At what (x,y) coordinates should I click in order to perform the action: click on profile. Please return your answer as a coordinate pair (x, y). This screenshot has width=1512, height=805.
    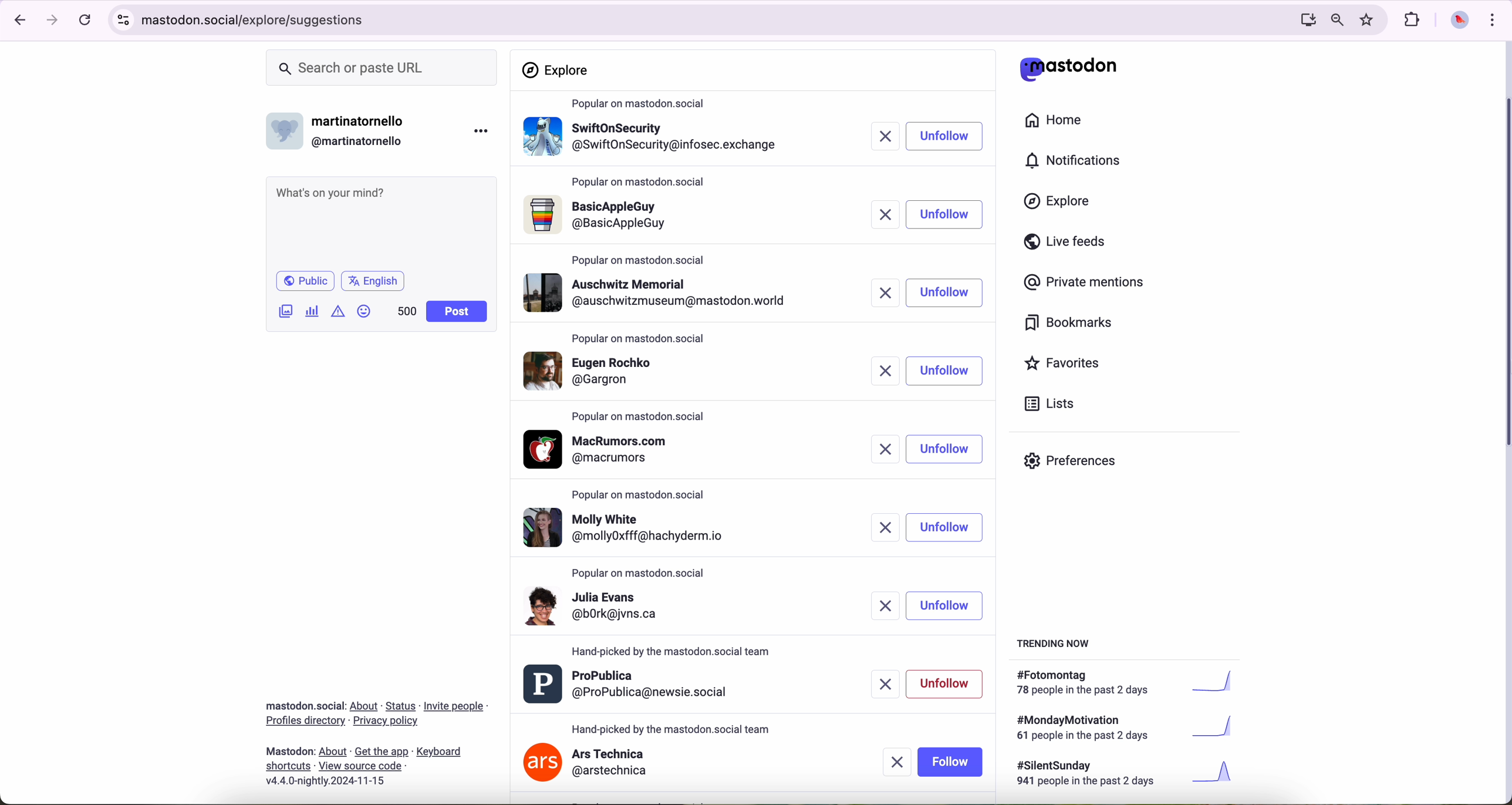
    Looking at the image, I should click on (655, 292).